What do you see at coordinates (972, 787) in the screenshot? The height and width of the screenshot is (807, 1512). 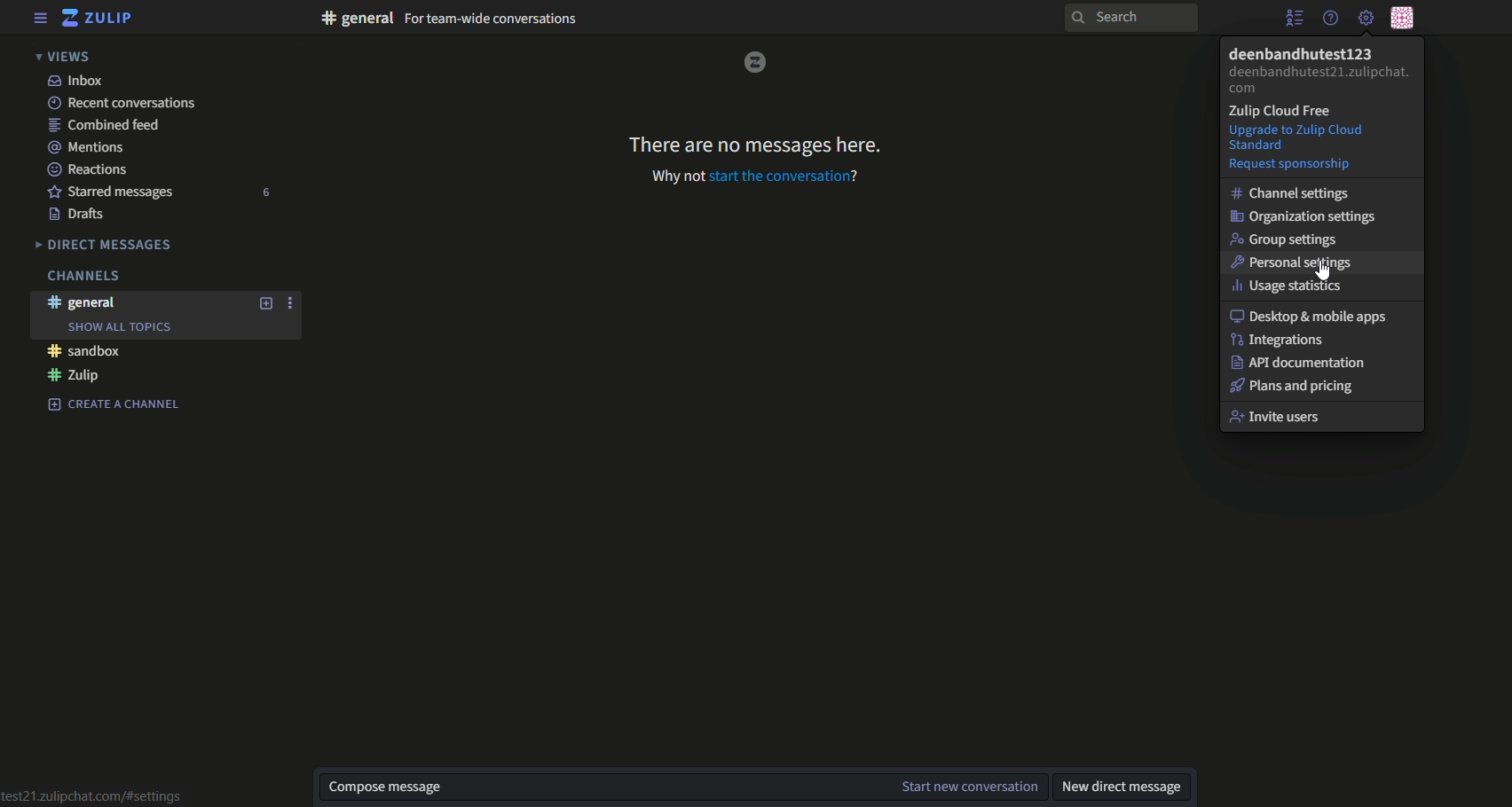 I see `start new conversation` at bounding box center [972, 787].